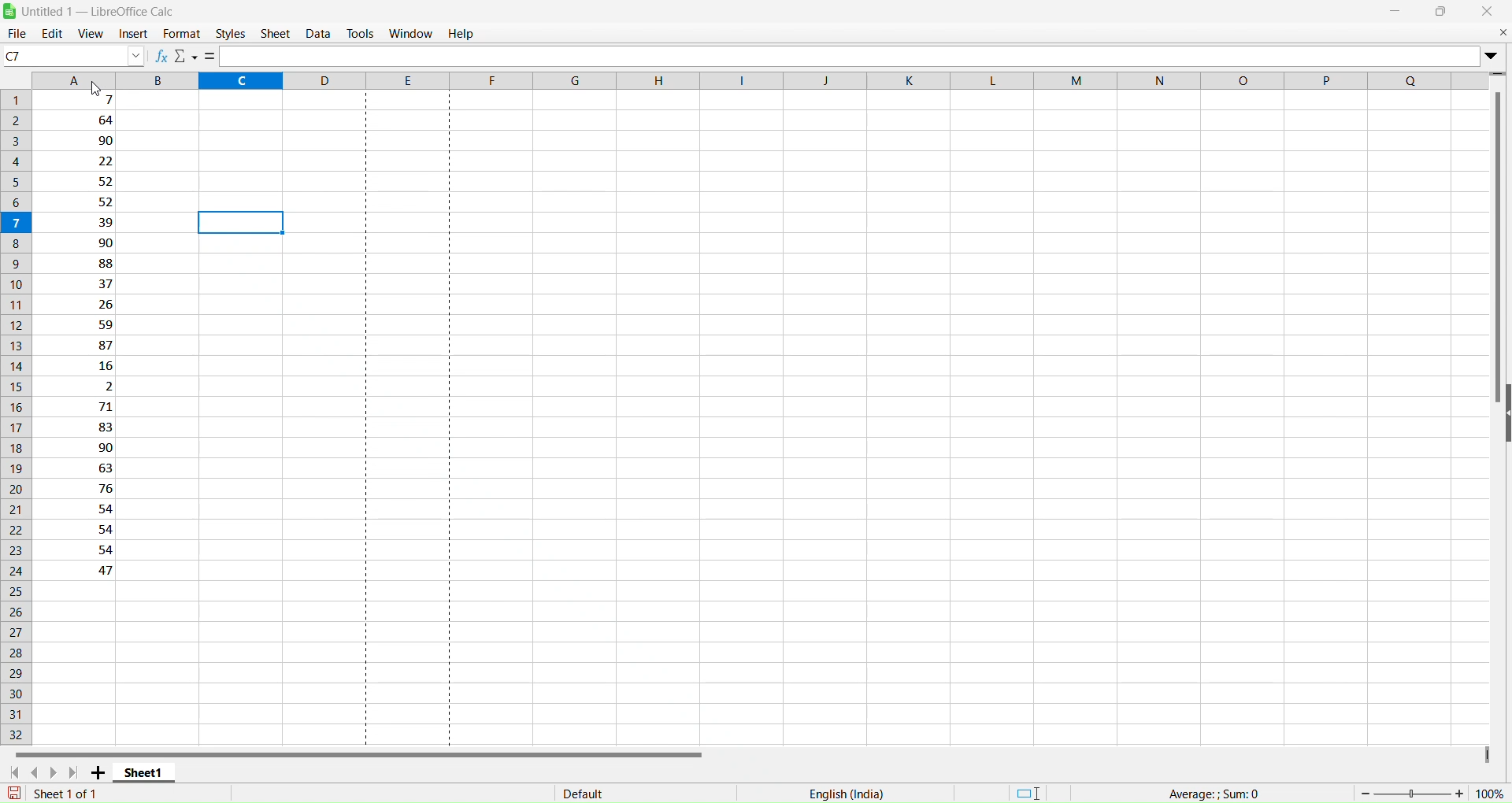 Image resolution: width=1512 pixels, height=803 pixels. I want to click on Minimize, so click(1396, 10).